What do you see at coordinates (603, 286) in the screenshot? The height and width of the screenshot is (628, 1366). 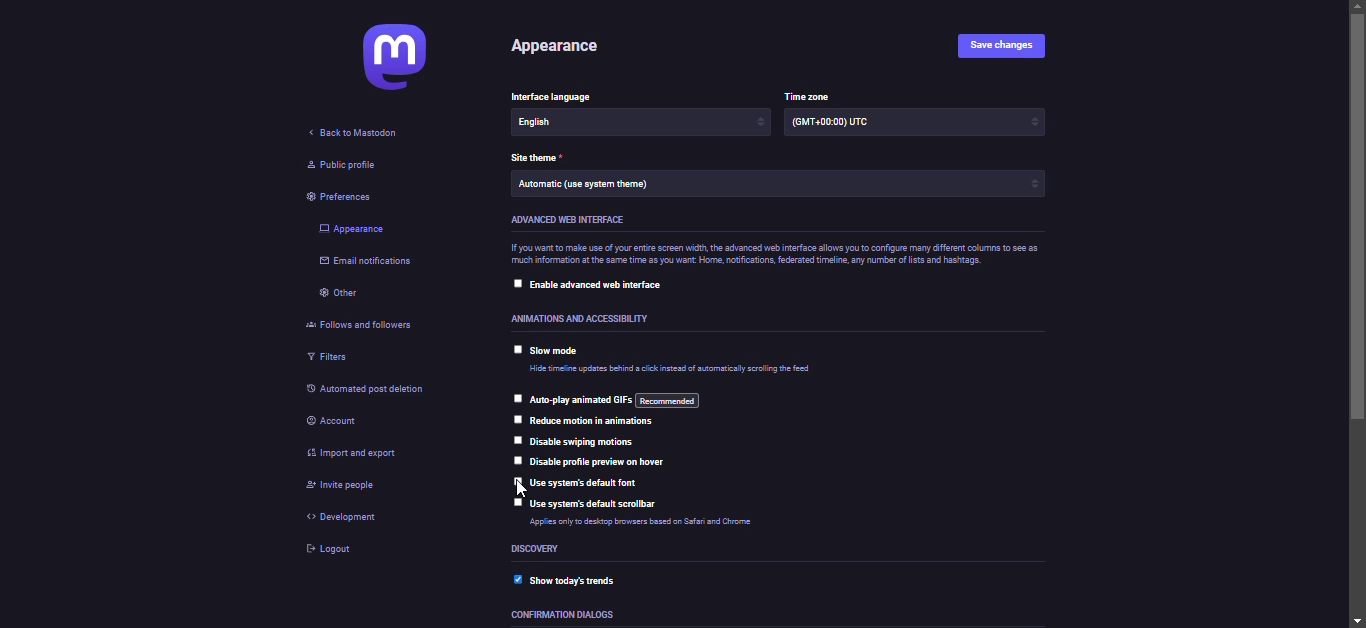 I see `enable advanced web interface` at bounding box center [603, 286].